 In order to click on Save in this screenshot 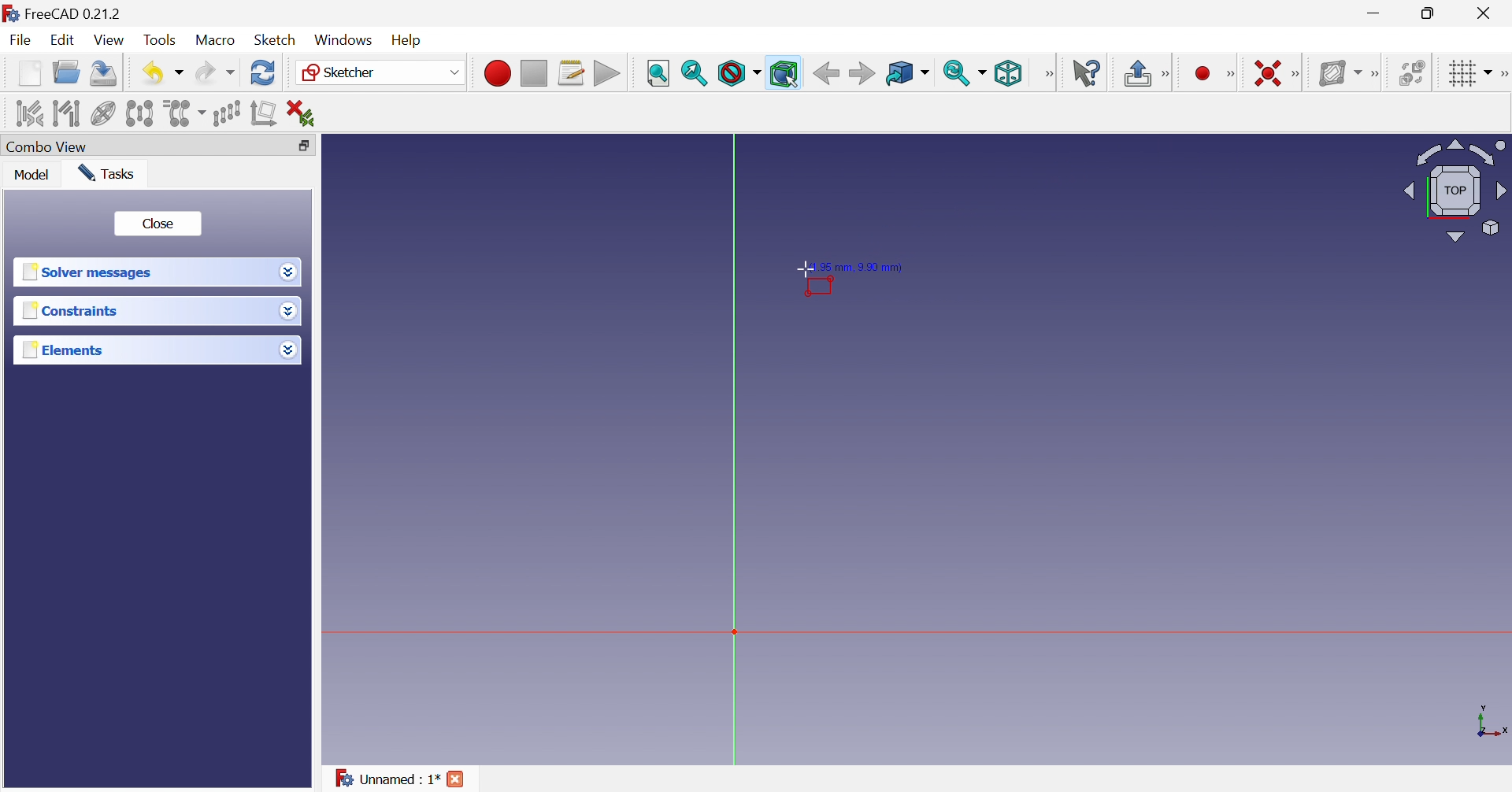, I will do `click(161, 73)`.